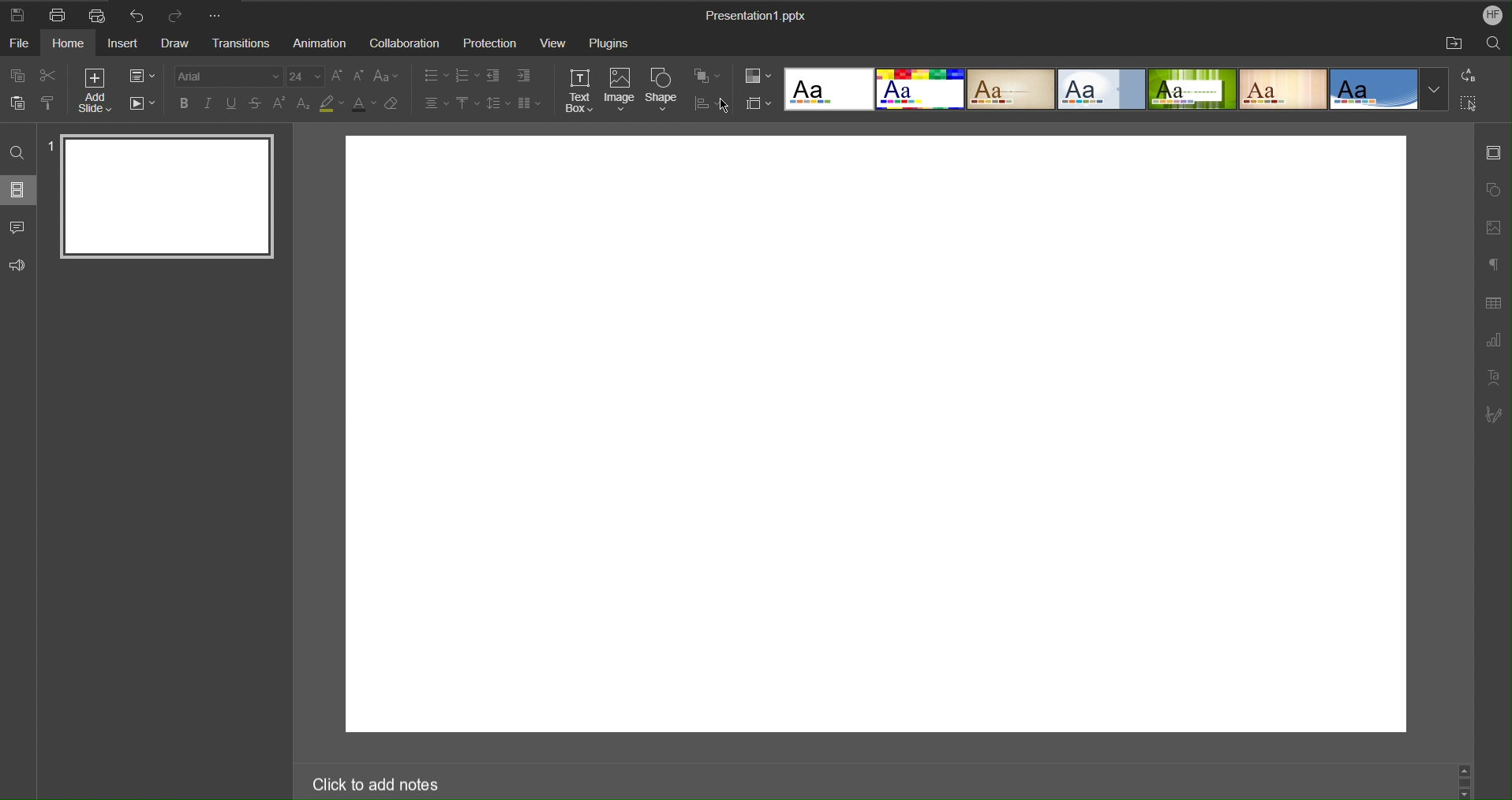  What do you see at coordinates (47, 76) in the screenshot?
I see `Cut` at bounding box center [47, 76].